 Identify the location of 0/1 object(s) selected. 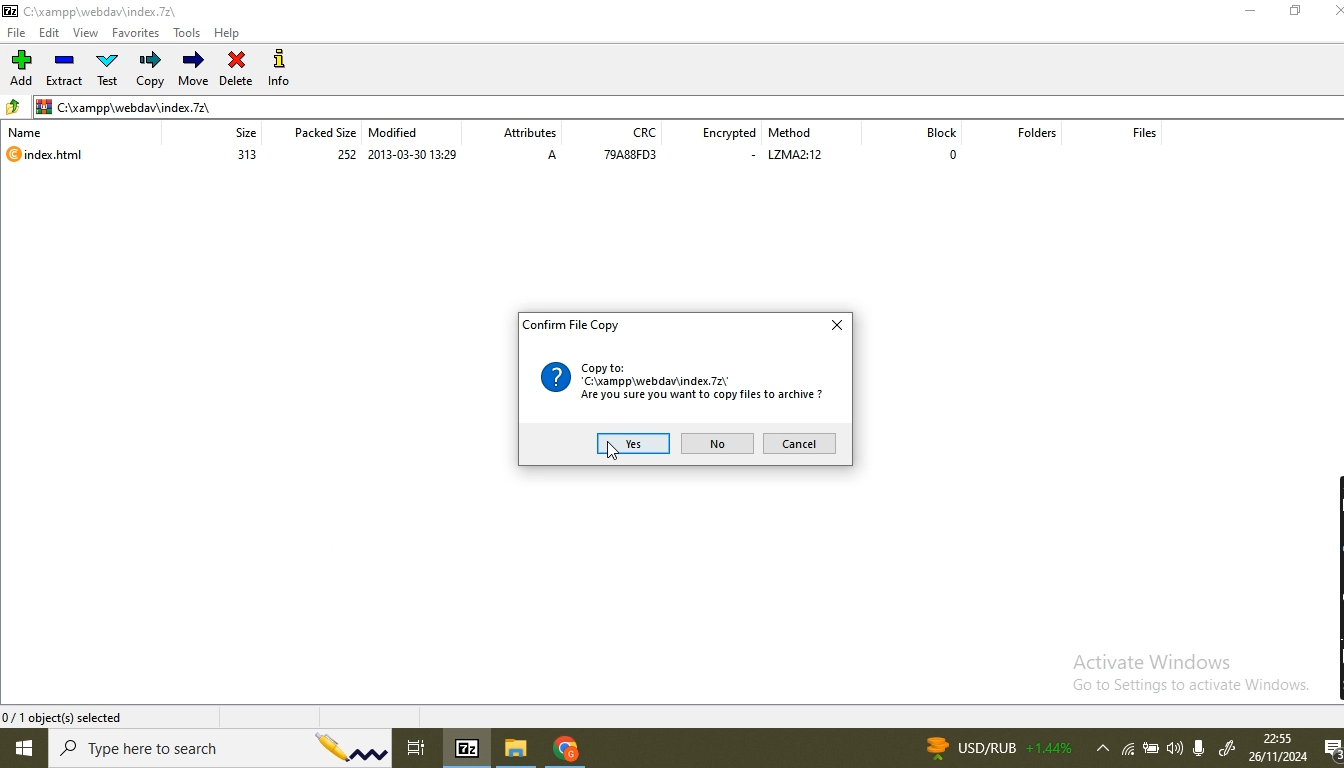
(65, 715).